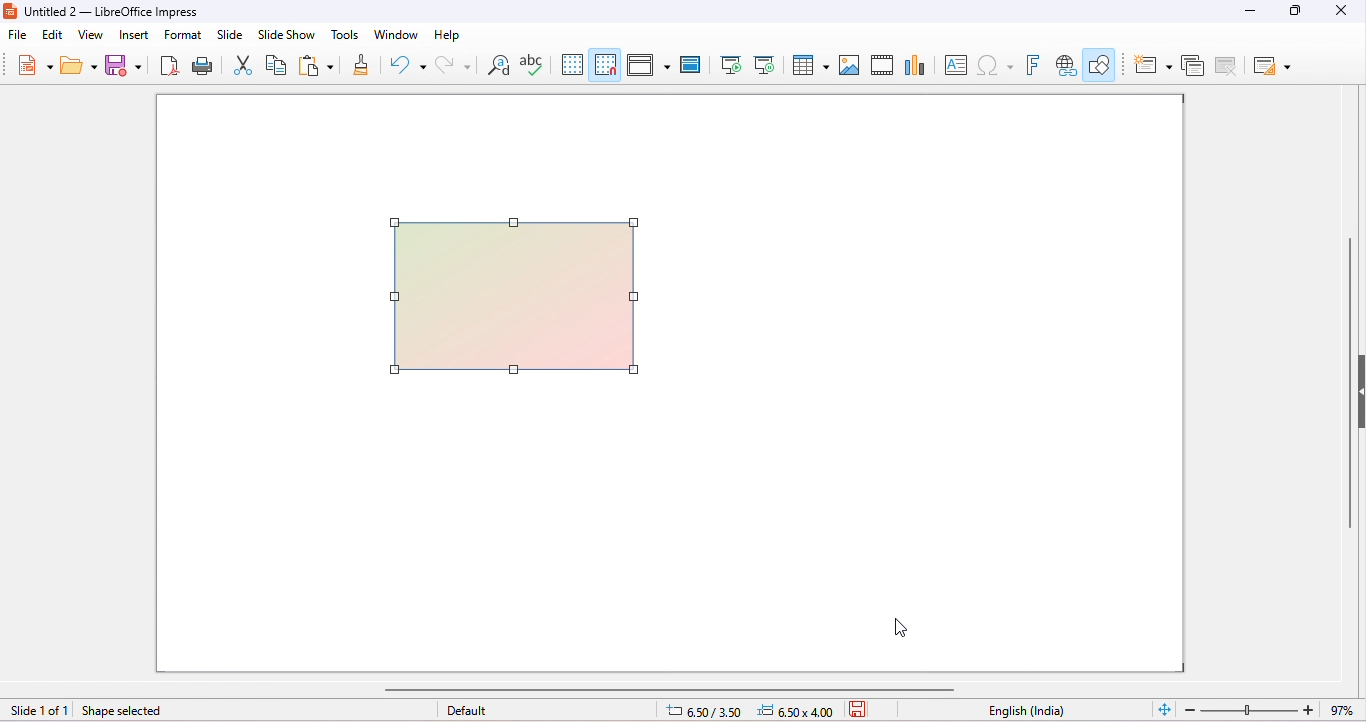 This screenshot has height=722, width=1366. What do you see at coordinates (397, 34) in the screenshot?
I see `window` at bounding box center [397, 34].